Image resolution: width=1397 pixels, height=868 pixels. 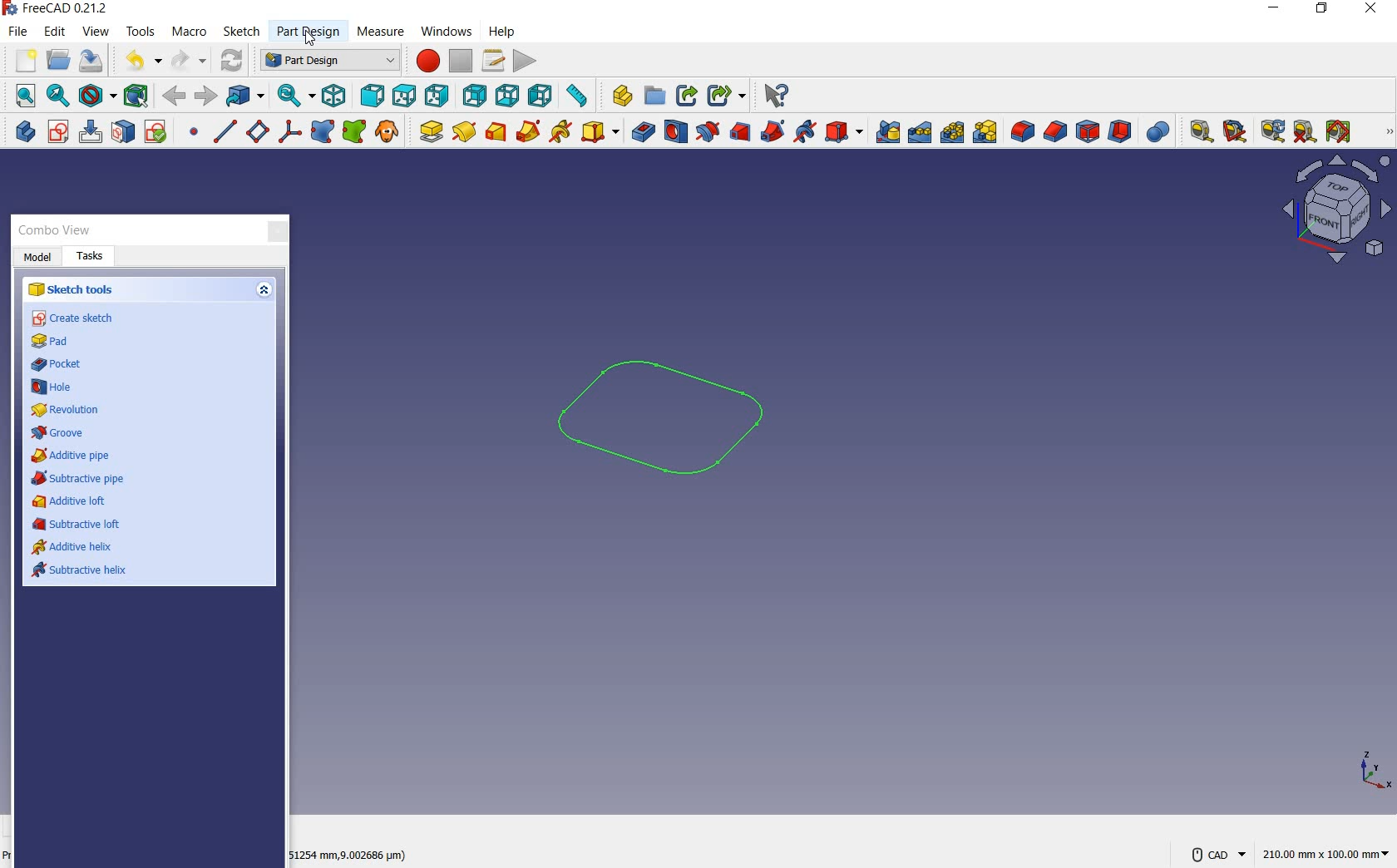 I want to click on bounding box, so click(x=136, y=94).